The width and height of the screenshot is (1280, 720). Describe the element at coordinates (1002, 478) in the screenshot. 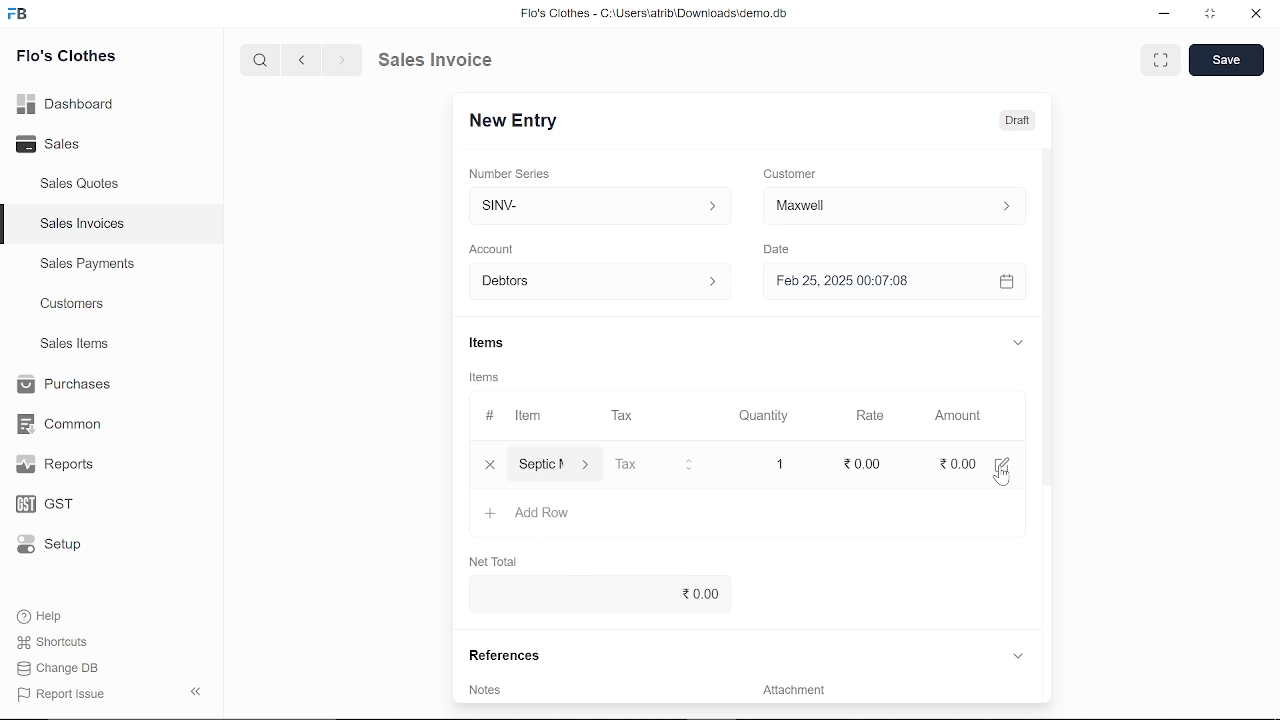

I see `cursor` at that location.